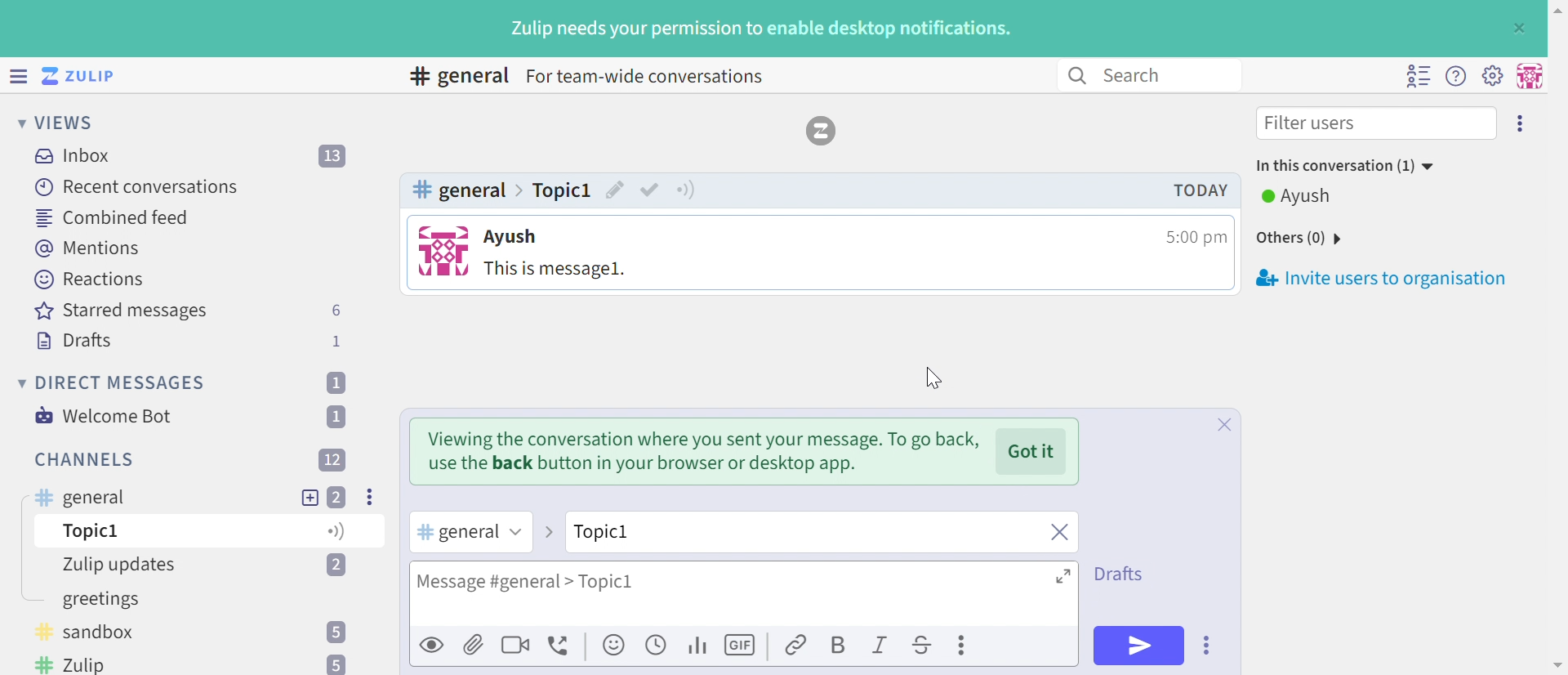  Describe the element at coordinates (1340, 239) in the screenshot. I see `Drop Down` at that location.